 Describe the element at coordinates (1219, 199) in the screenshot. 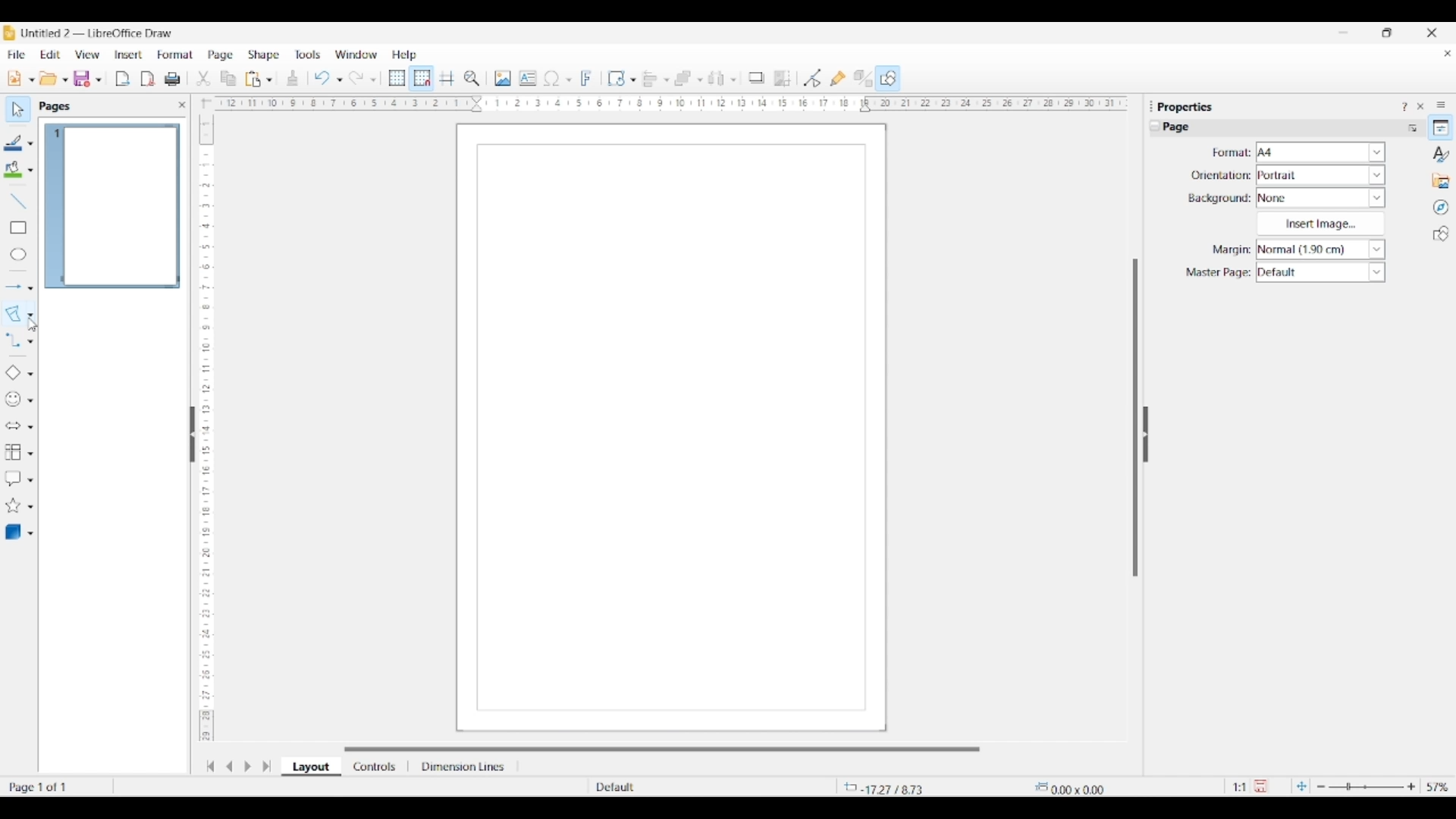

I see `Indicates background settings` at that location.